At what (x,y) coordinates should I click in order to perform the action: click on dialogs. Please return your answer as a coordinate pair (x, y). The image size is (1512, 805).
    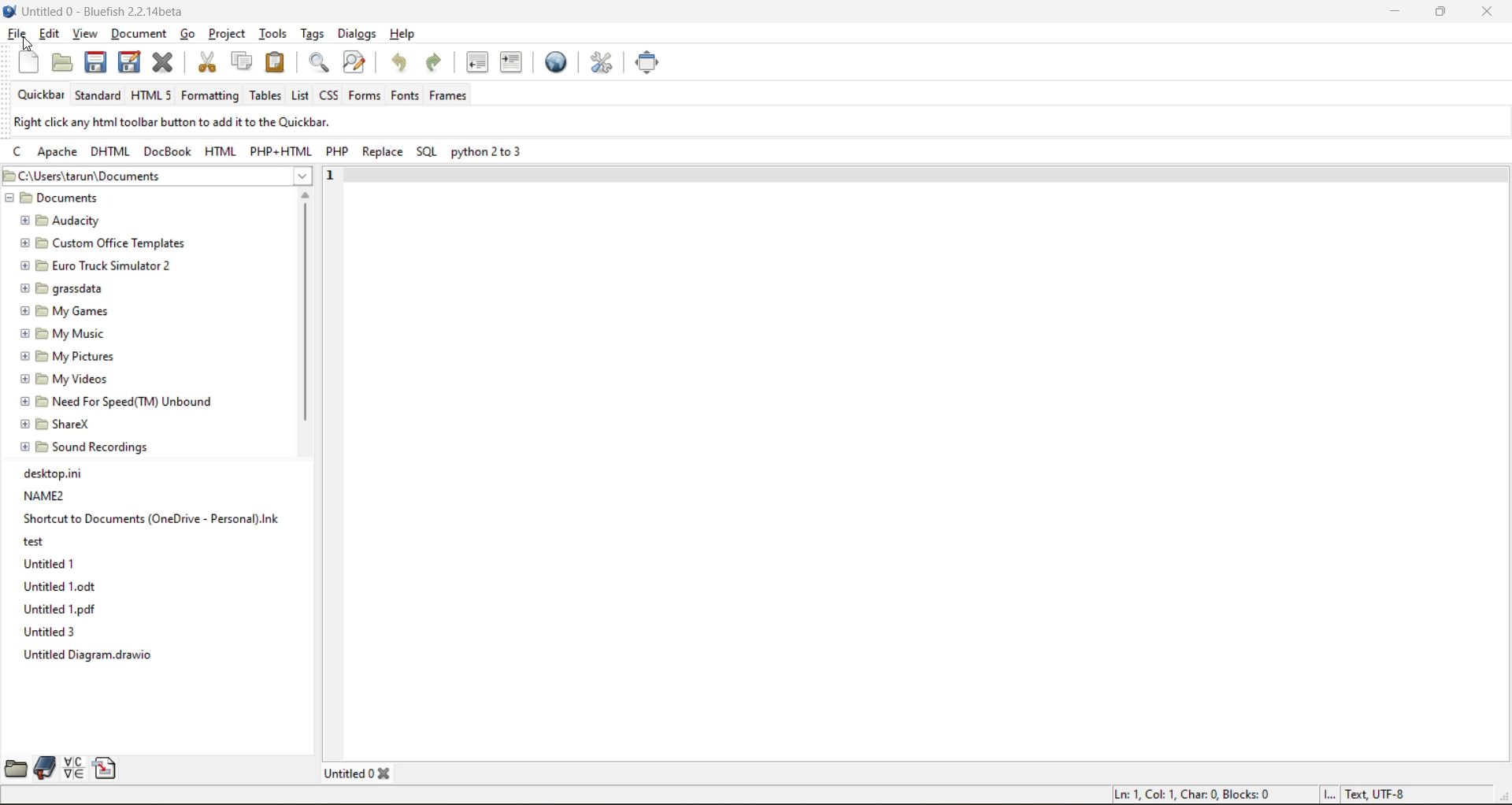
    Looking at the image, I should click on (358, 36).